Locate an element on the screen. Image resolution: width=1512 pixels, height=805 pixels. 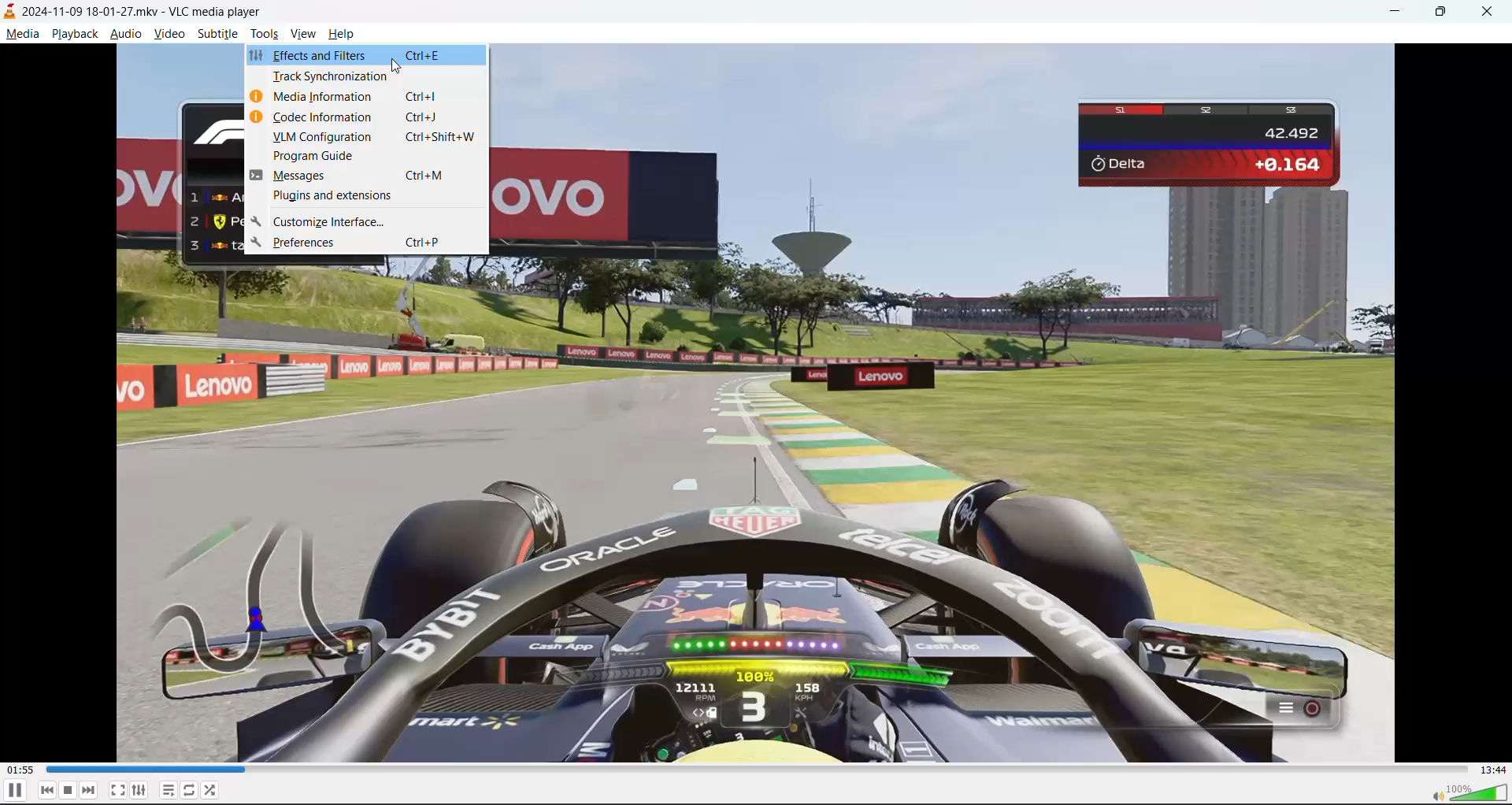
tools is located at coordinates (267, 36).